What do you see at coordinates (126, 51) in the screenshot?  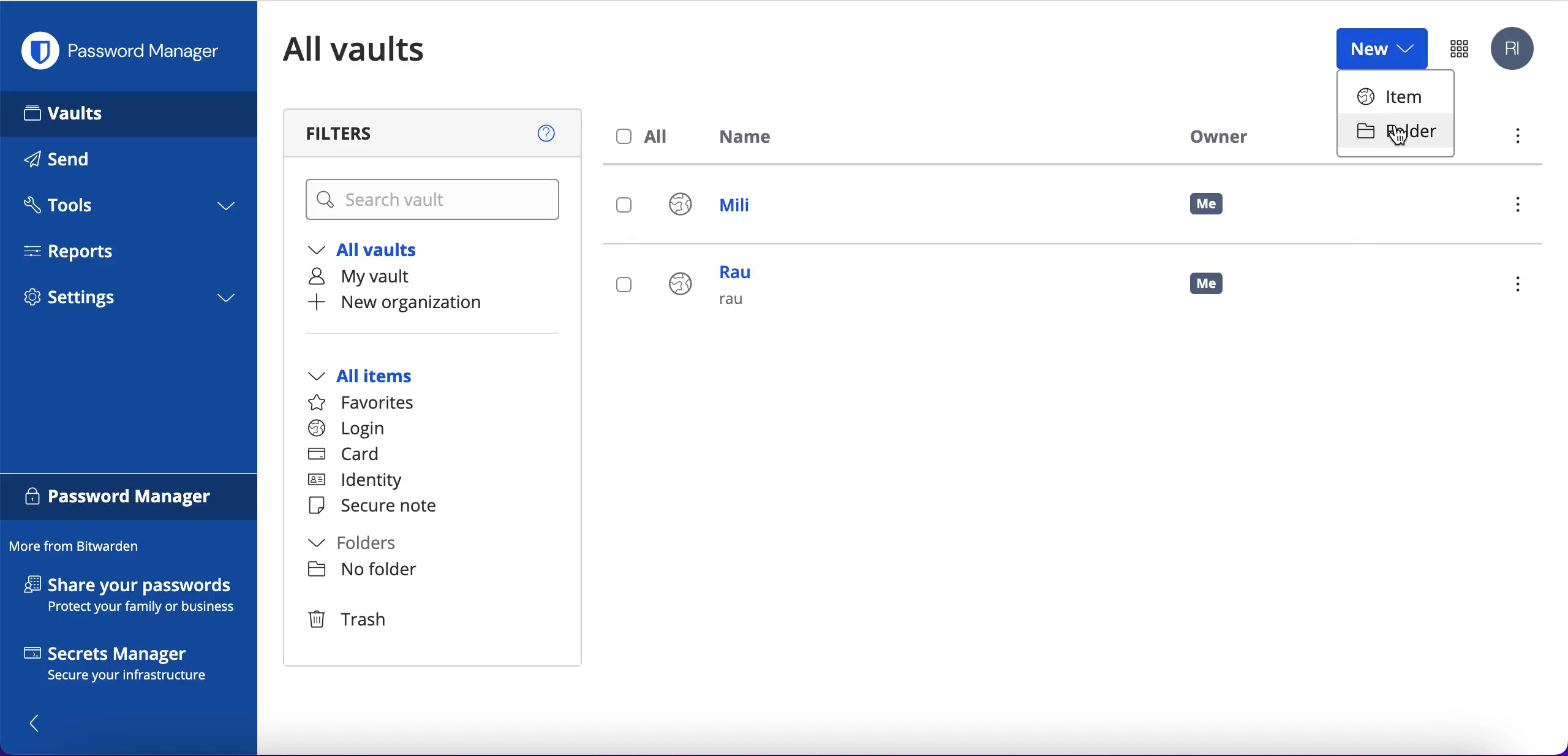 I see `password manager` at bounding box center [126, 51].